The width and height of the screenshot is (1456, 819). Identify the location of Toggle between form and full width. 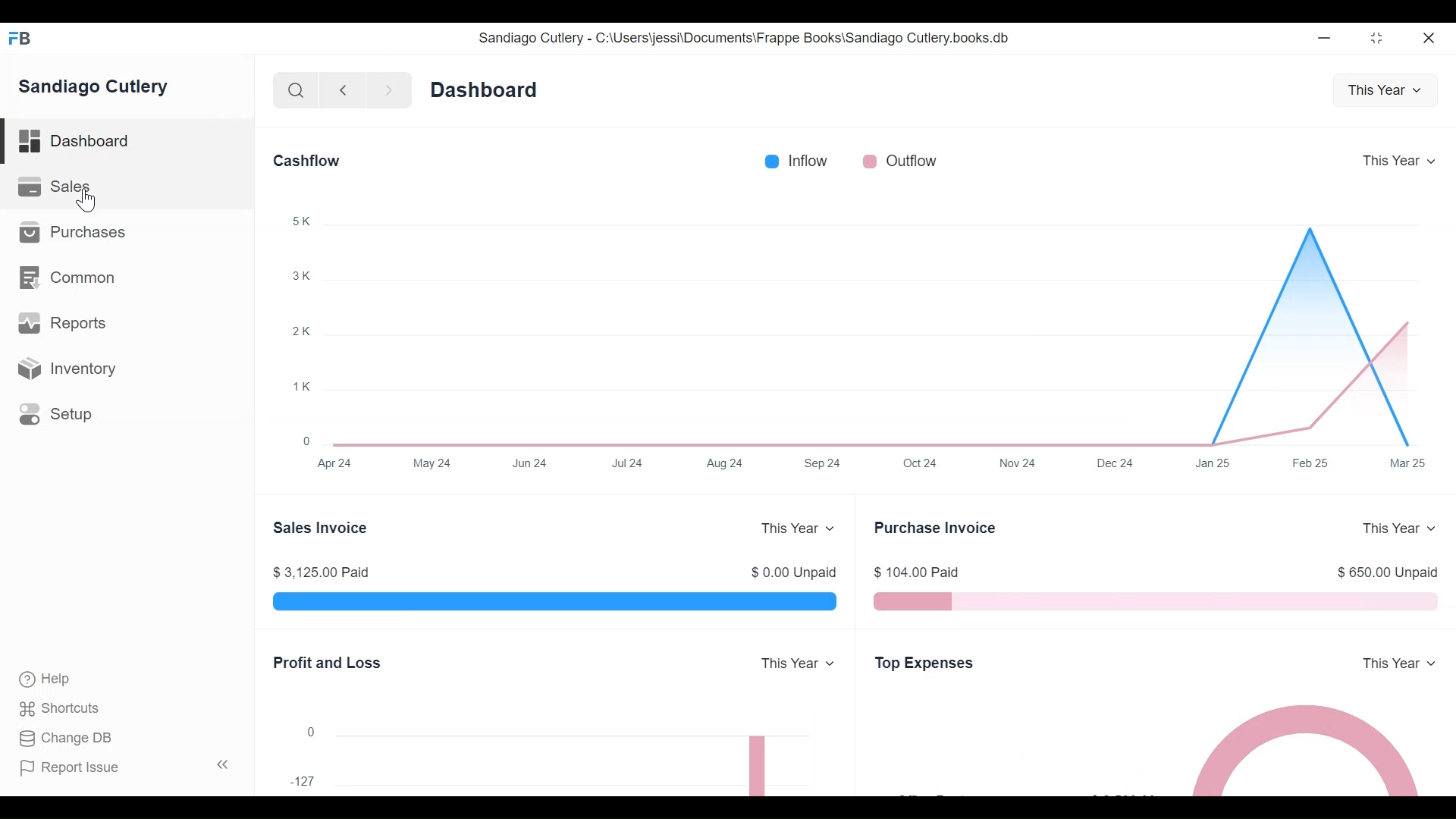
(1377, 39).